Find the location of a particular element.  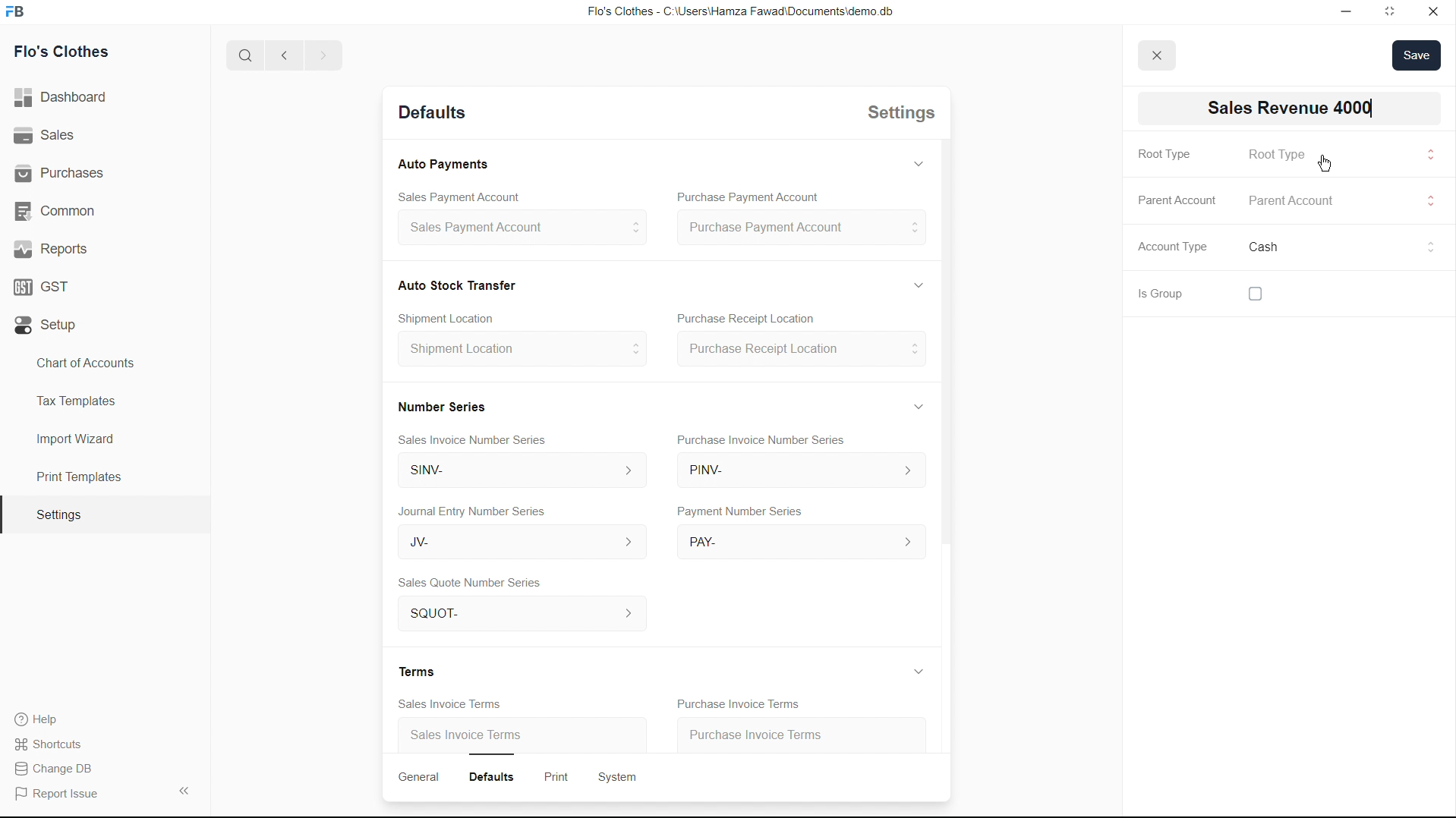

checkbox is located at coordinates (1253, 294).